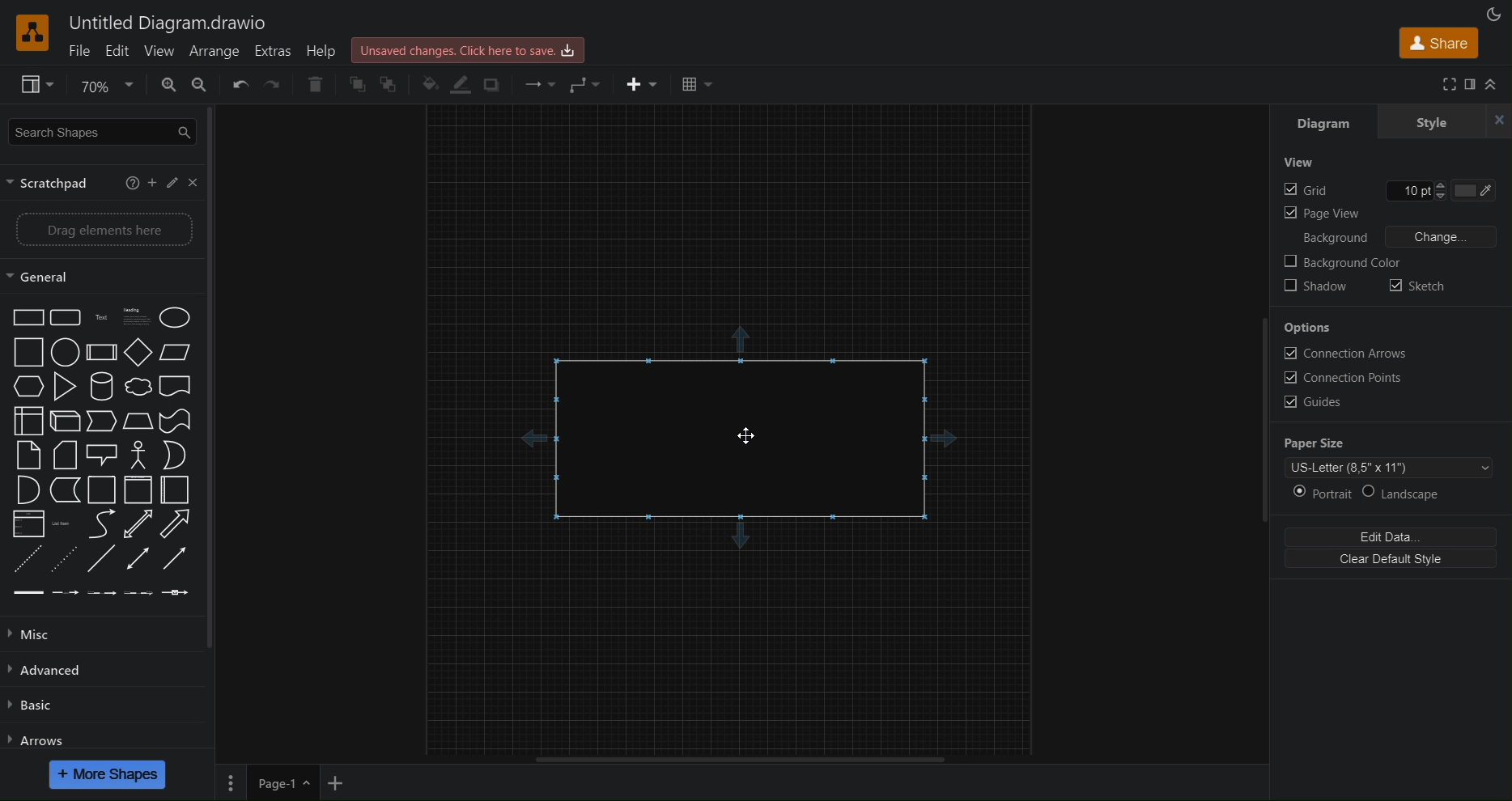 The image size is (1512, 801). Describe the element at coordinates (748, 759) in the screenshot. I see `Scrollbar` at that location.